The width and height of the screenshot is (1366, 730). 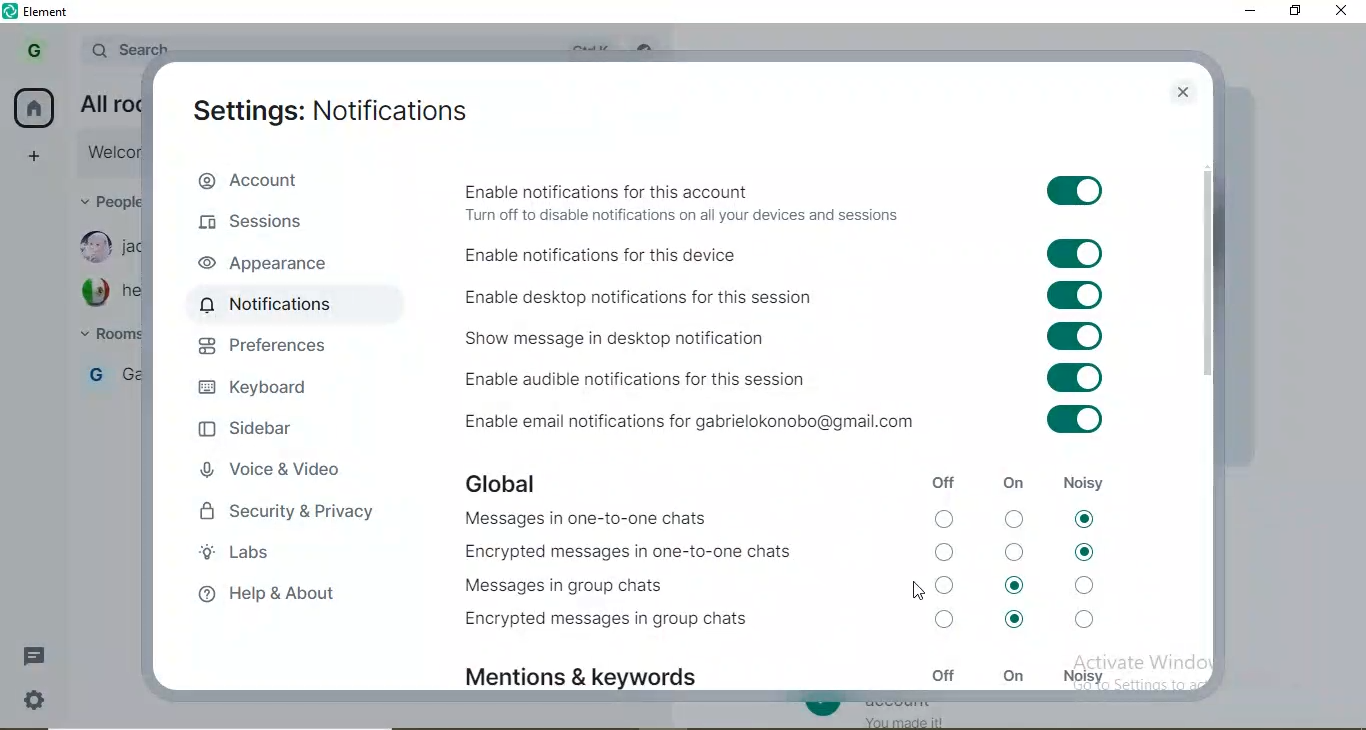 What do you see at coordinates (37, 704) in the screenshot?
I see `settings` at bounding box center [37, 704].